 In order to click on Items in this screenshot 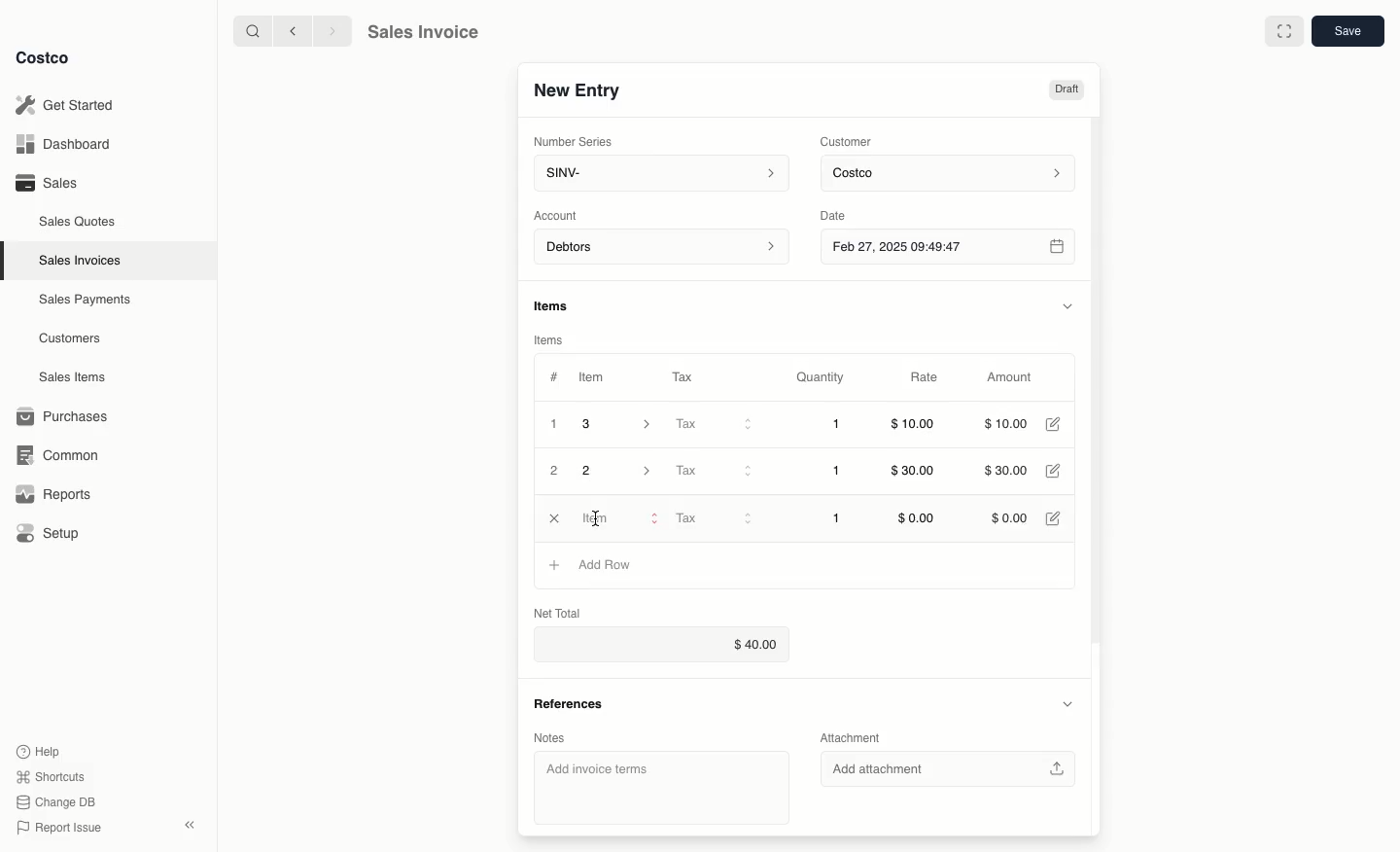, I will do `click(552, 340)`.